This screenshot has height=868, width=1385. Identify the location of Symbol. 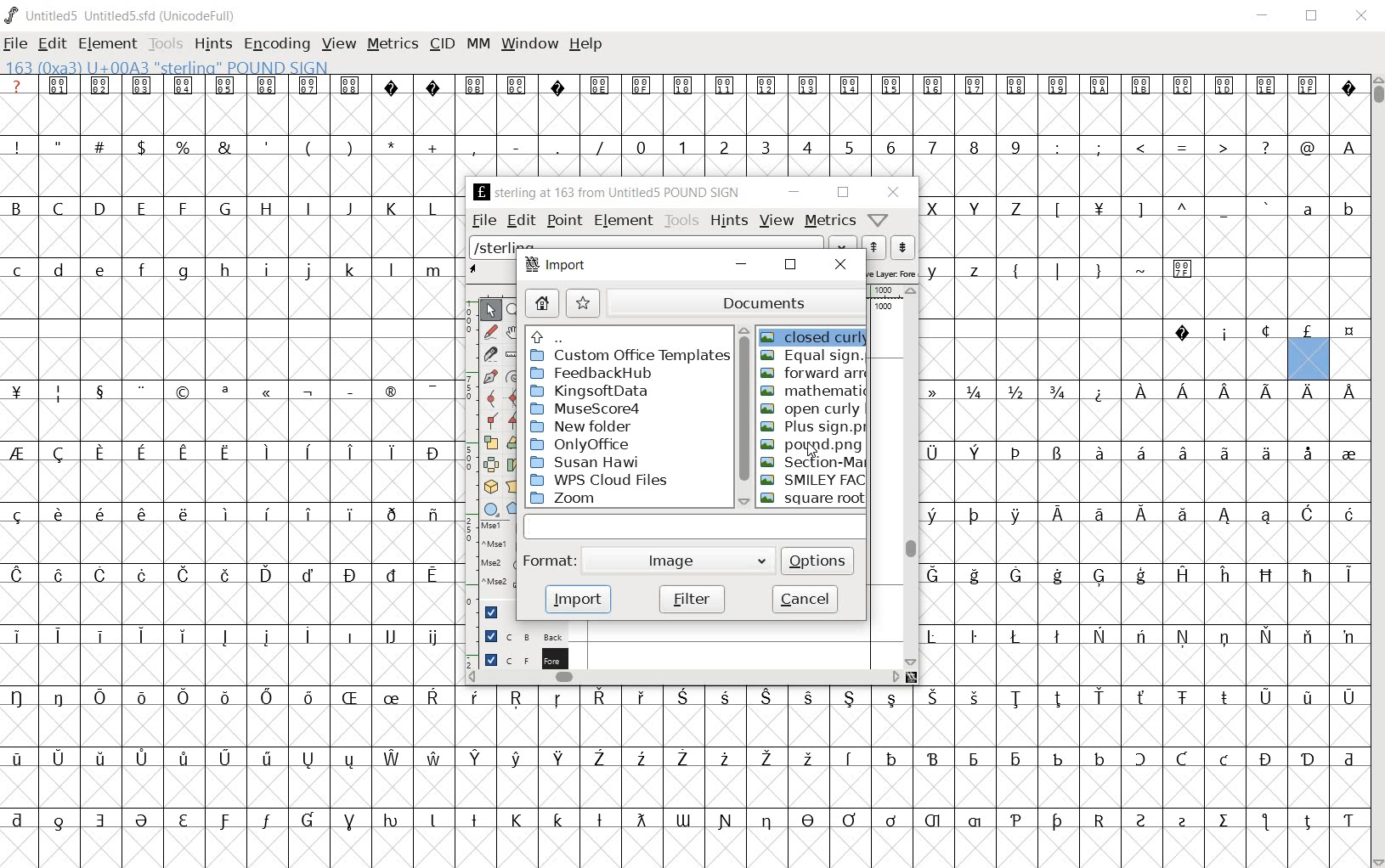
(1102, 87).